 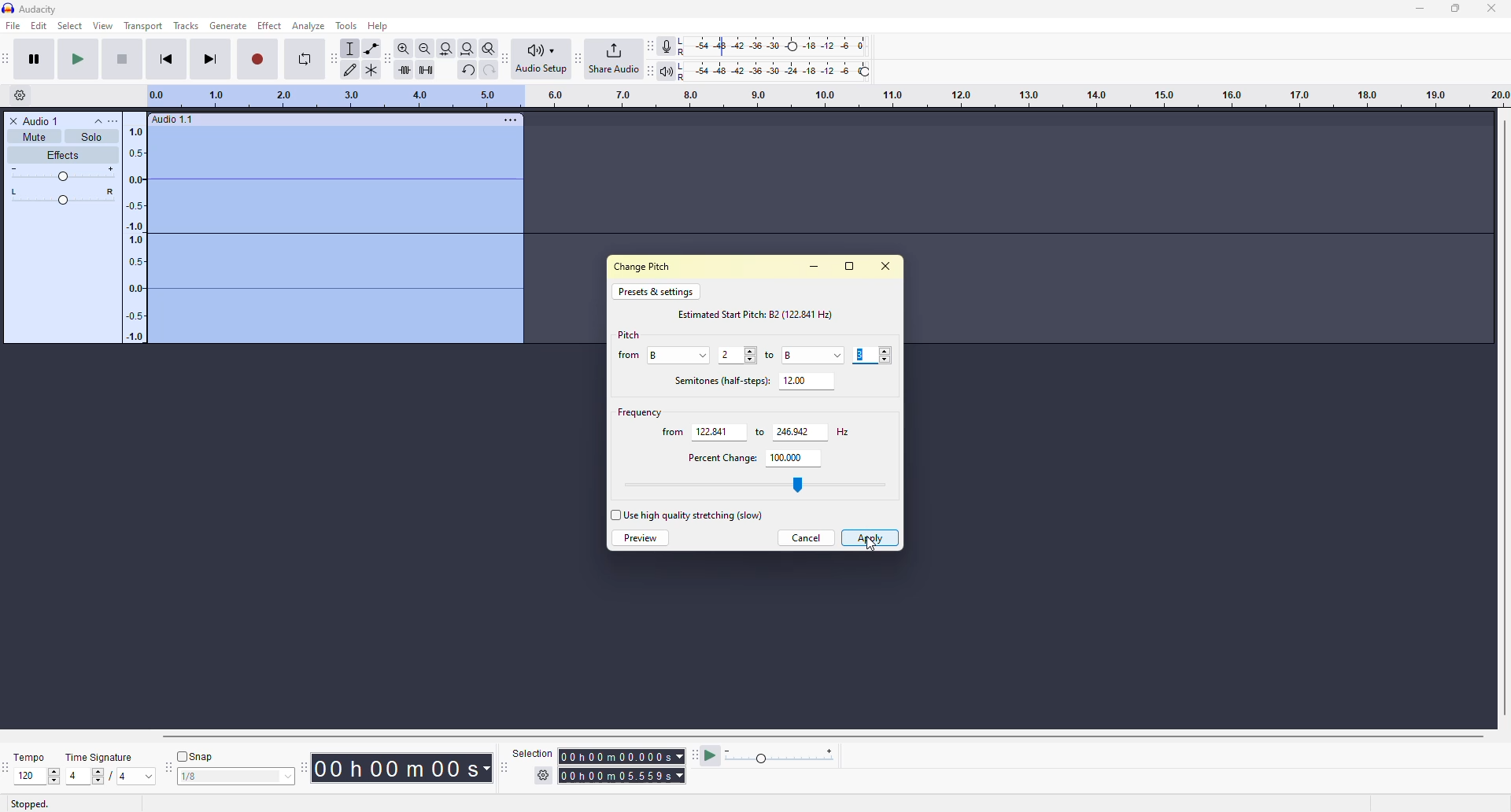 What do you see at coordinates (755, 433) in the screenshot?
I see `to` at bounding box center [755, 433].